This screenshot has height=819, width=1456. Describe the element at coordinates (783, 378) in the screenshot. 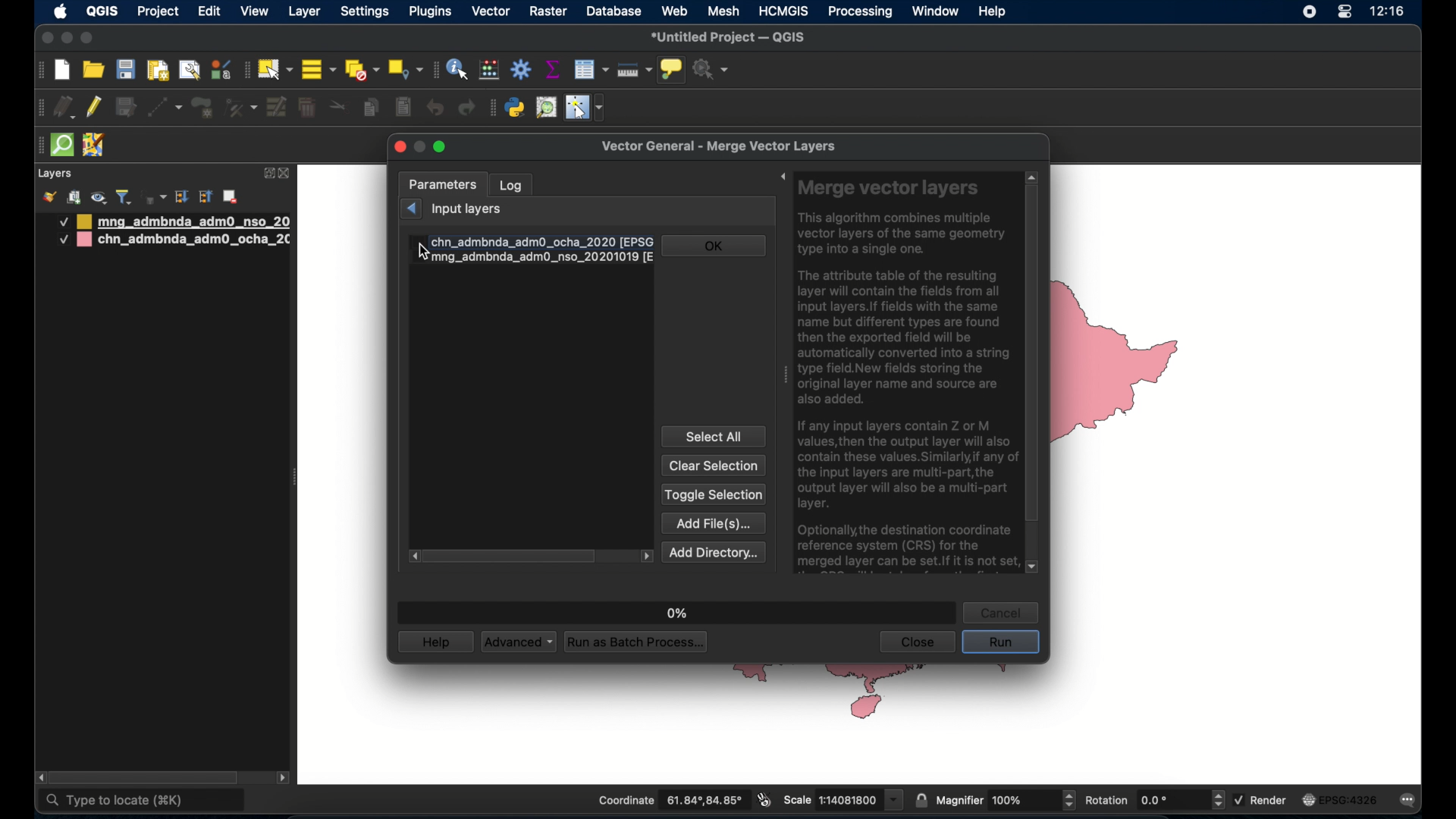

I see `drag handle` at that location.